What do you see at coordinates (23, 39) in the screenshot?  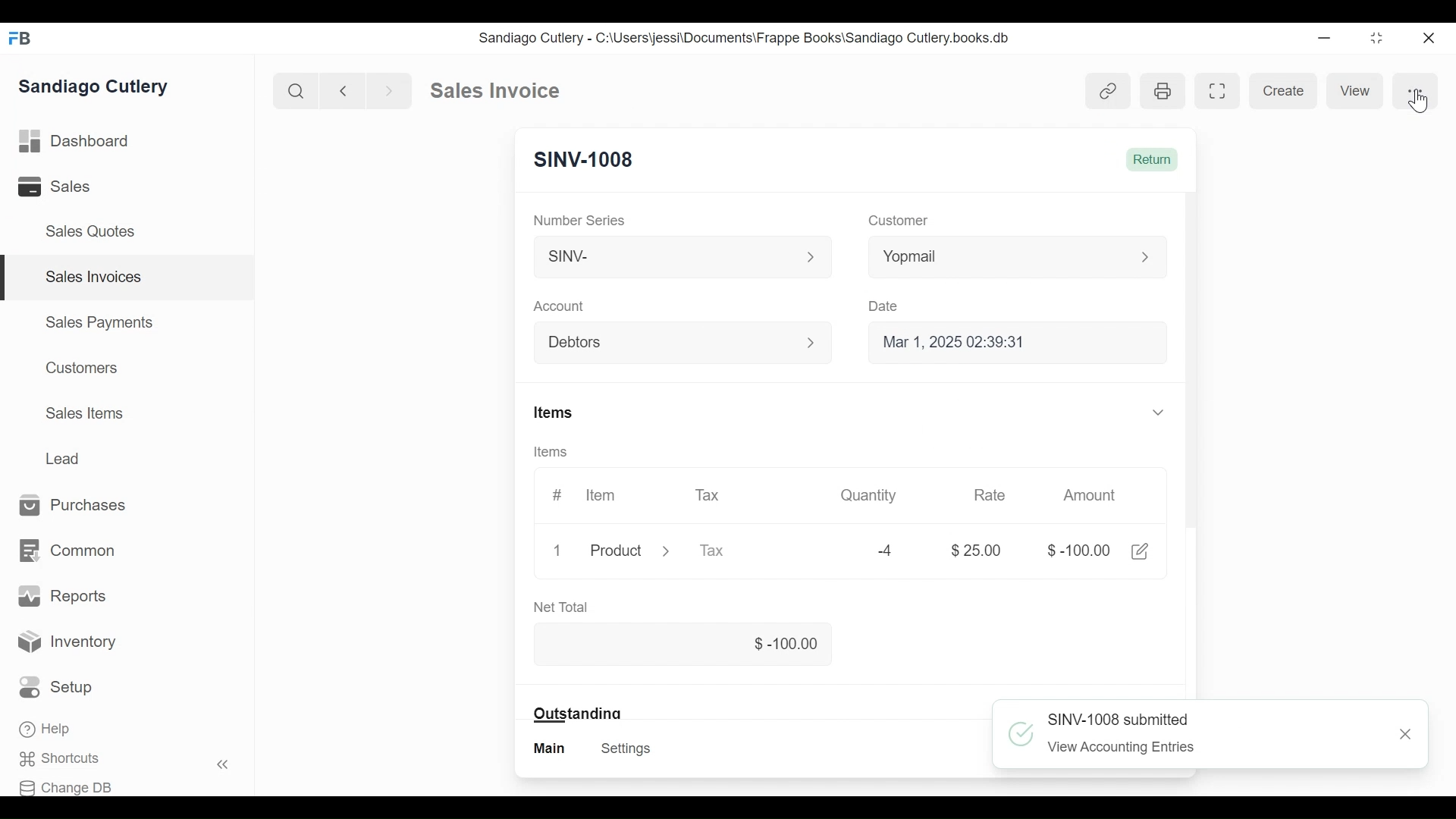 I see `FB` at bounding box center [23, 39].